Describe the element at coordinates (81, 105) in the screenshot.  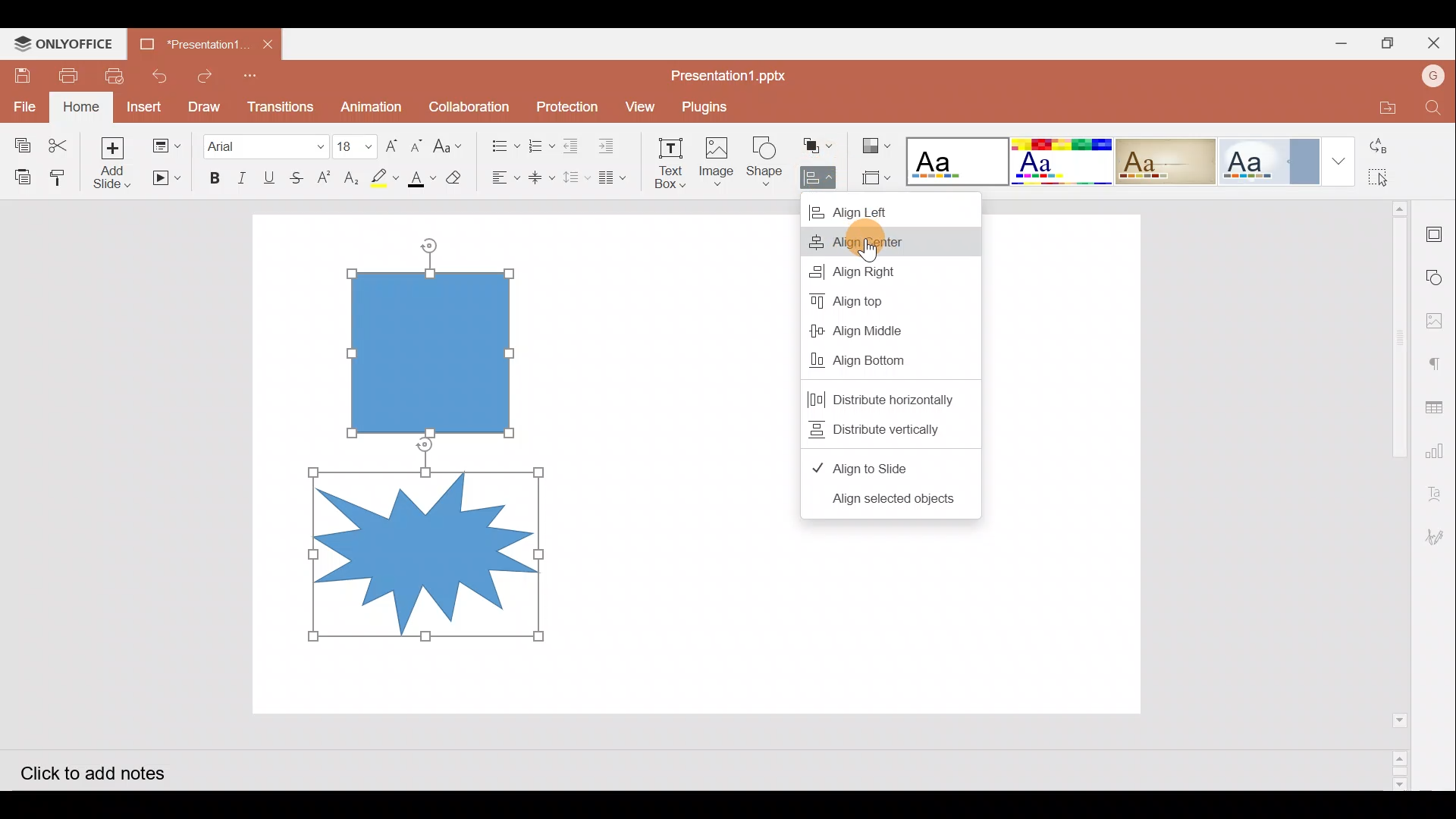
I see `Home` at that location.